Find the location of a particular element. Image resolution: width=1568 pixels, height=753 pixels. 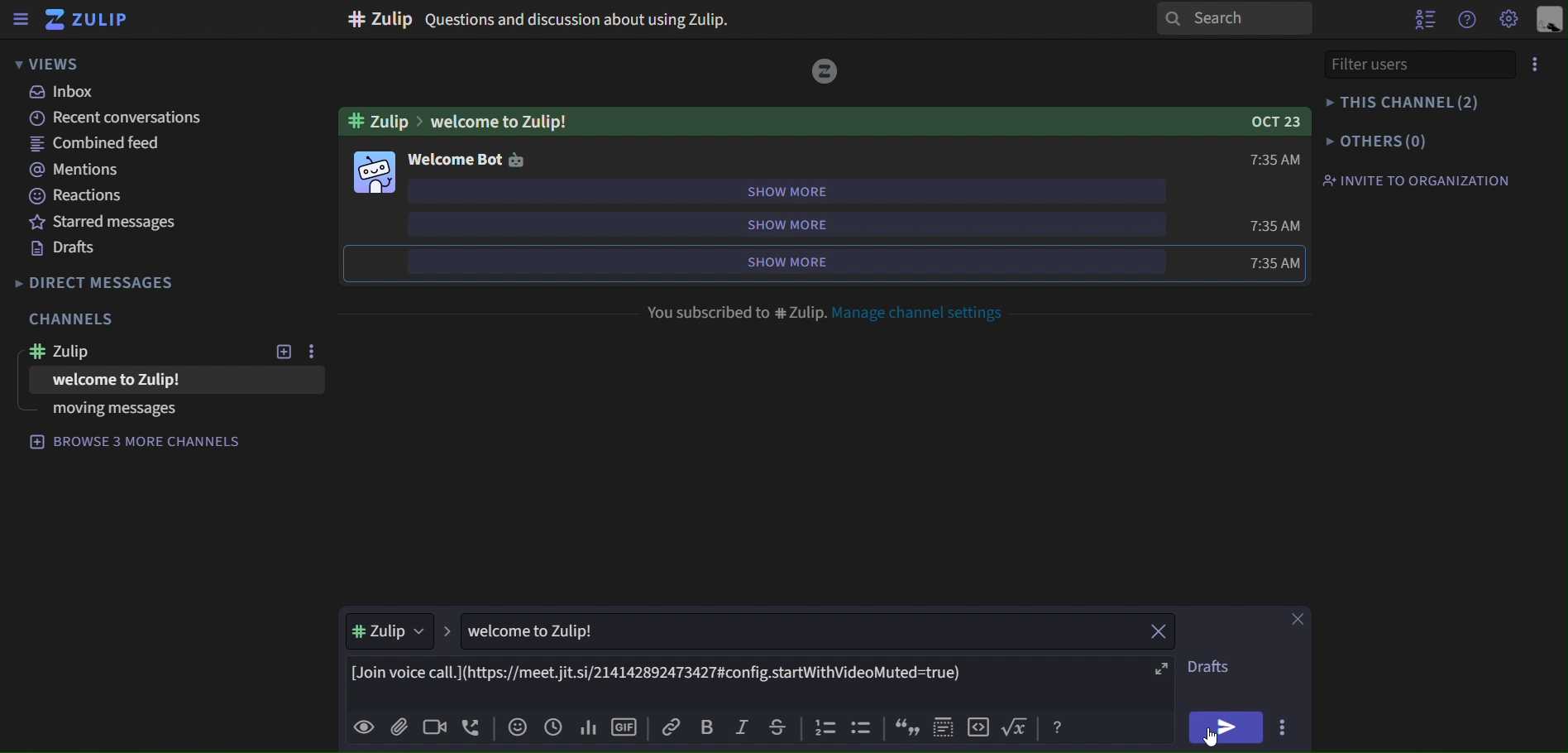

add file is located at coordinates (401, 727).